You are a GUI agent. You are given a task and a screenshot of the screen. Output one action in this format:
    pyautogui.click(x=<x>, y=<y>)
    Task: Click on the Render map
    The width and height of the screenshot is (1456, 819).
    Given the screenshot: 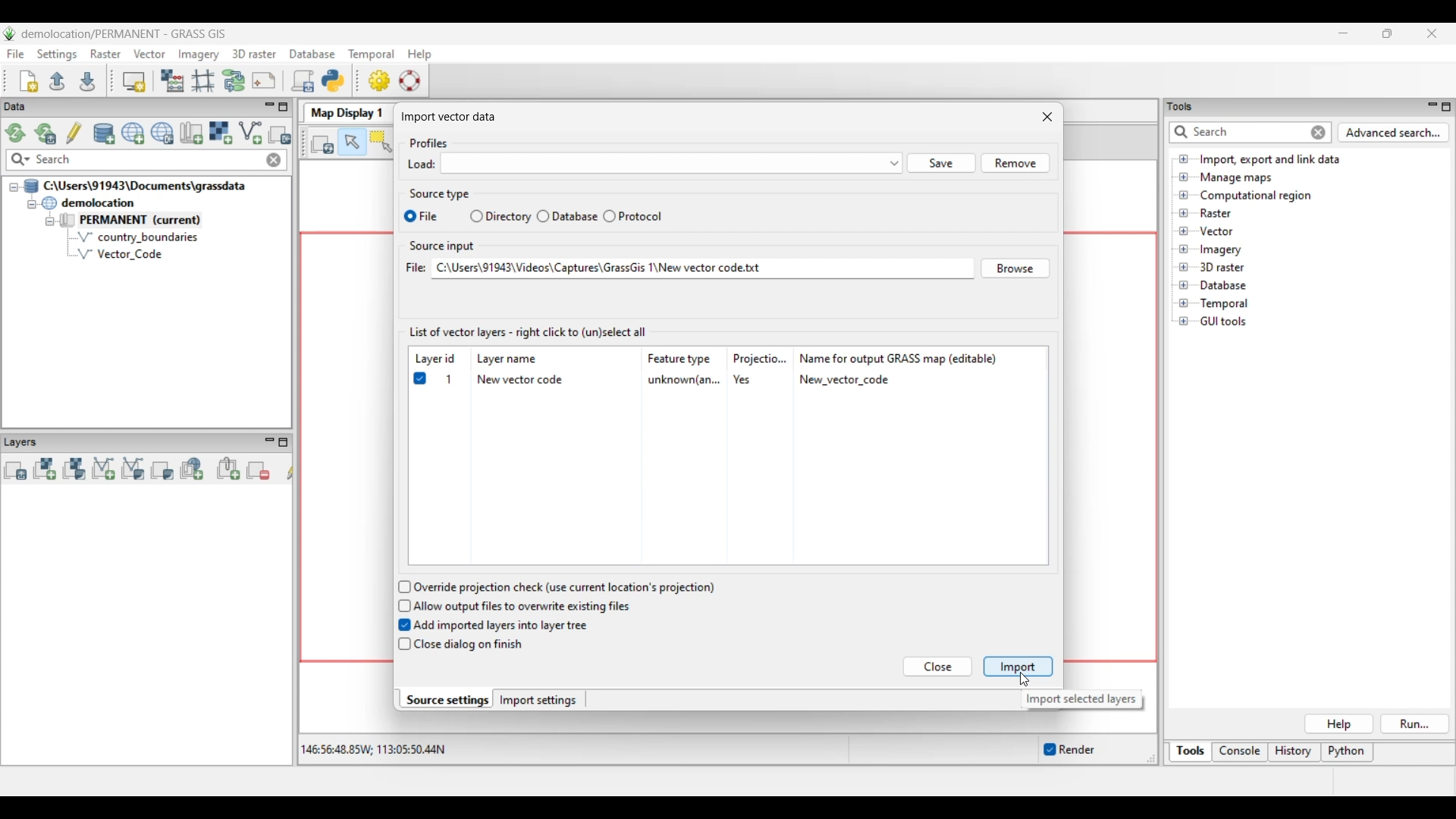 What is the action you would take?
    pyautogui.click(x=323, y=143)
    